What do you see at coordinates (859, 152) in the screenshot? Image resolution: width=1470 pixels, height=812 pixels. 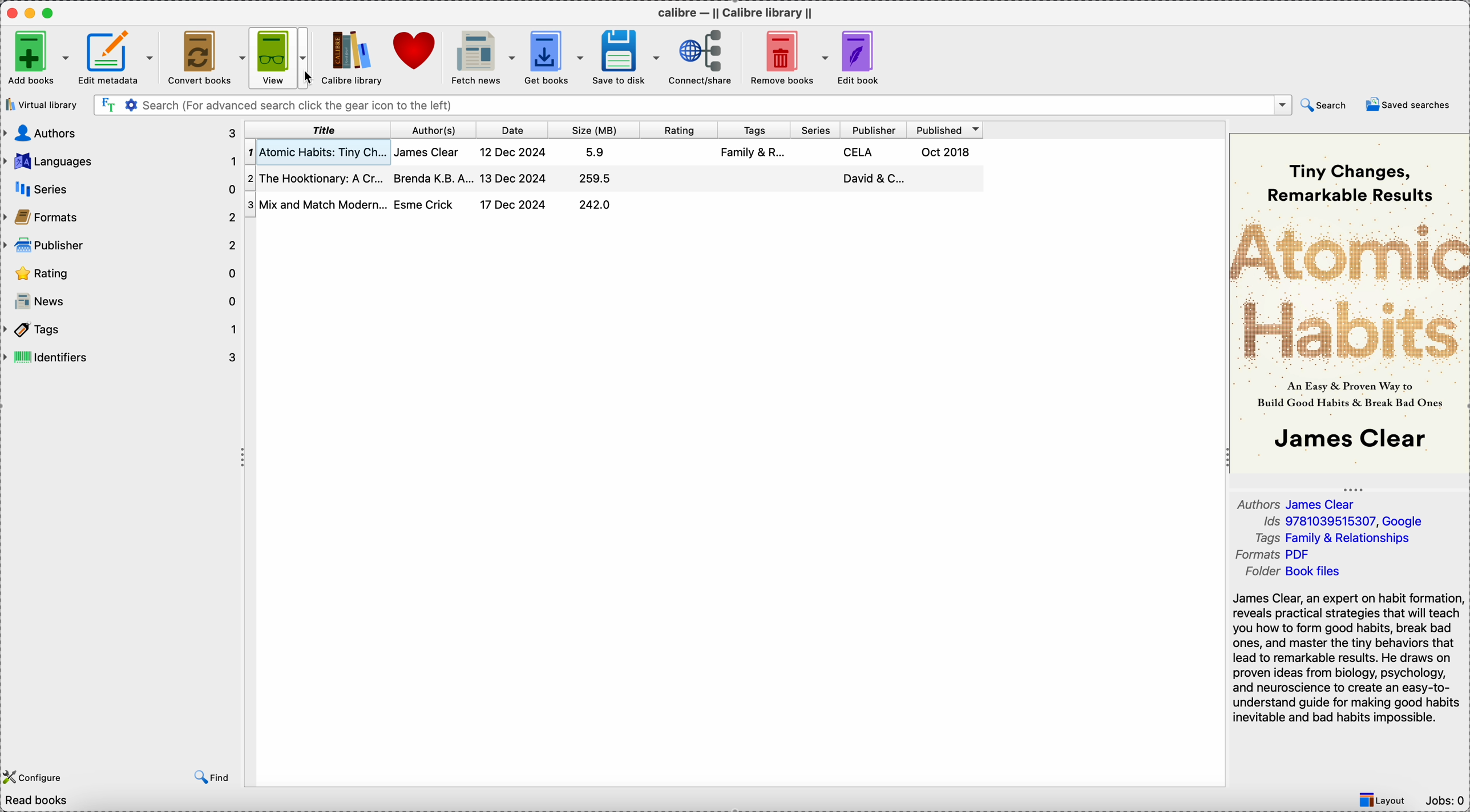 I see `CELA` at bounding box center [859, 152].